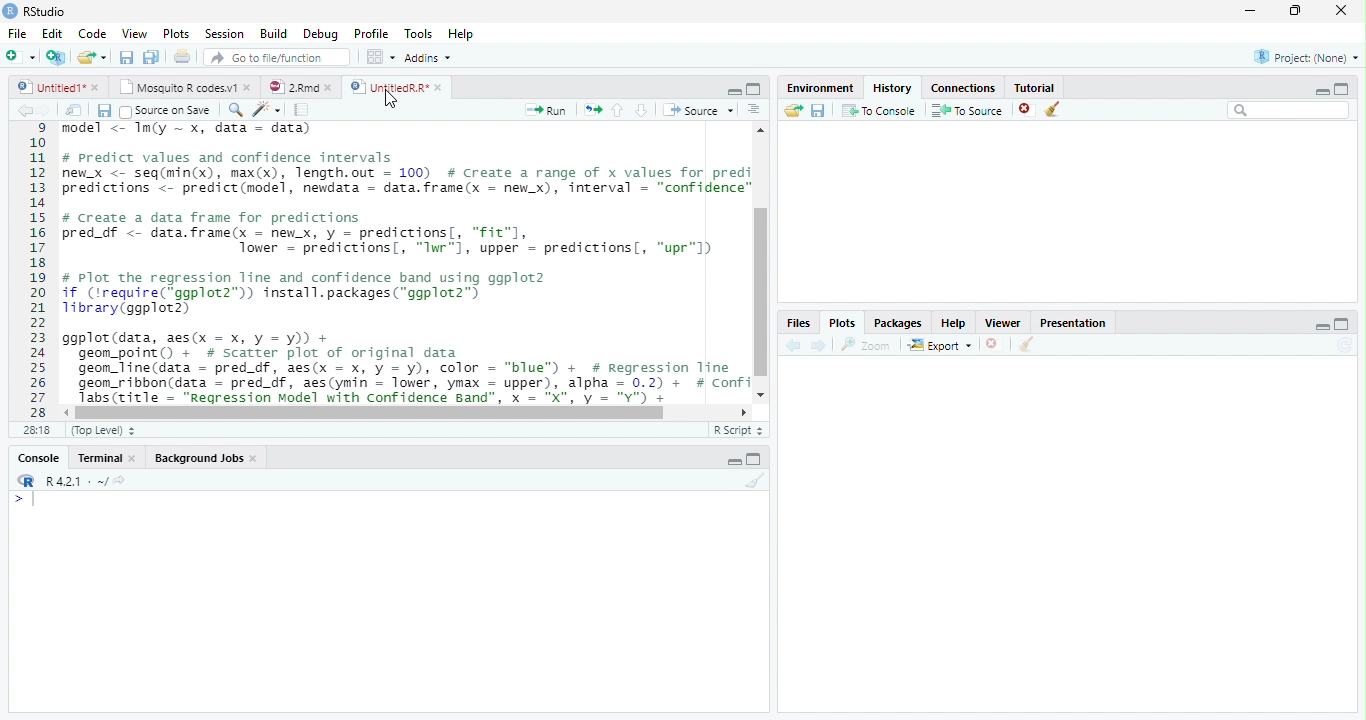 The image size is (1366, 720). What do you see at coordinates (1342, 12) in the screenshot?
I see `Close ` at bounding box center [1342, 12].